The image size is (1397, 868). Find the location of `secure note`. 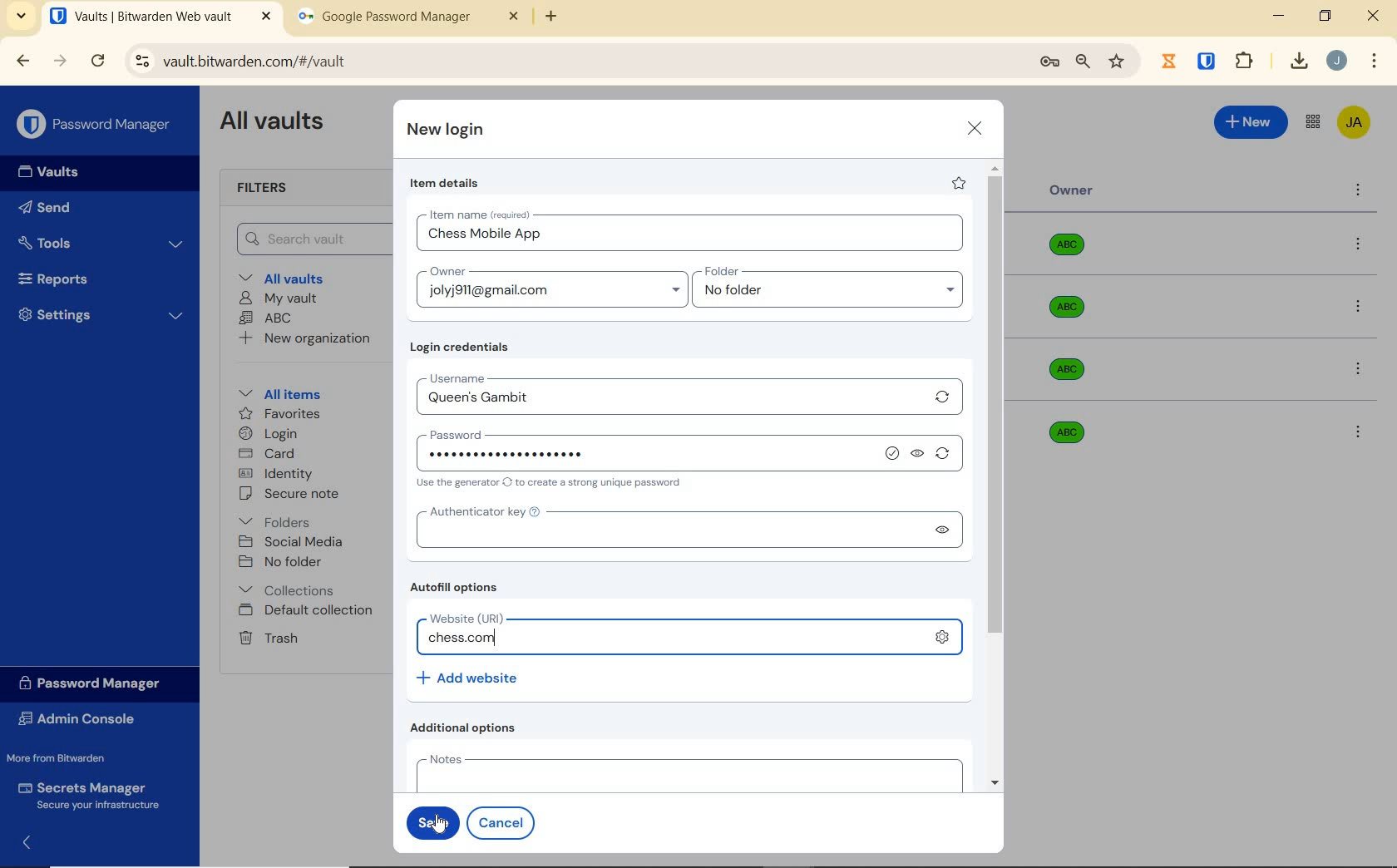

secure note is located at coordinates (294, 494).